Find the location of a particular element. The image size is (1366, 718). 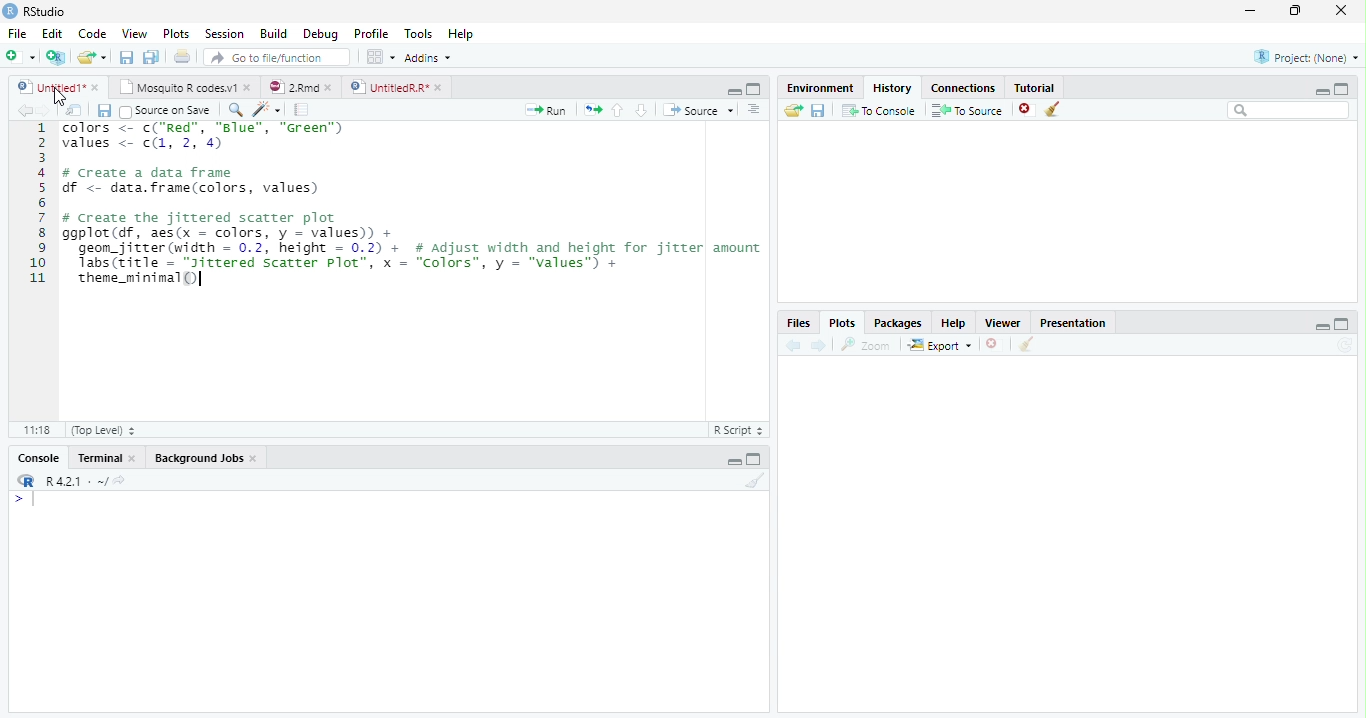

Remove current plot is located at coordinates (994, 345).